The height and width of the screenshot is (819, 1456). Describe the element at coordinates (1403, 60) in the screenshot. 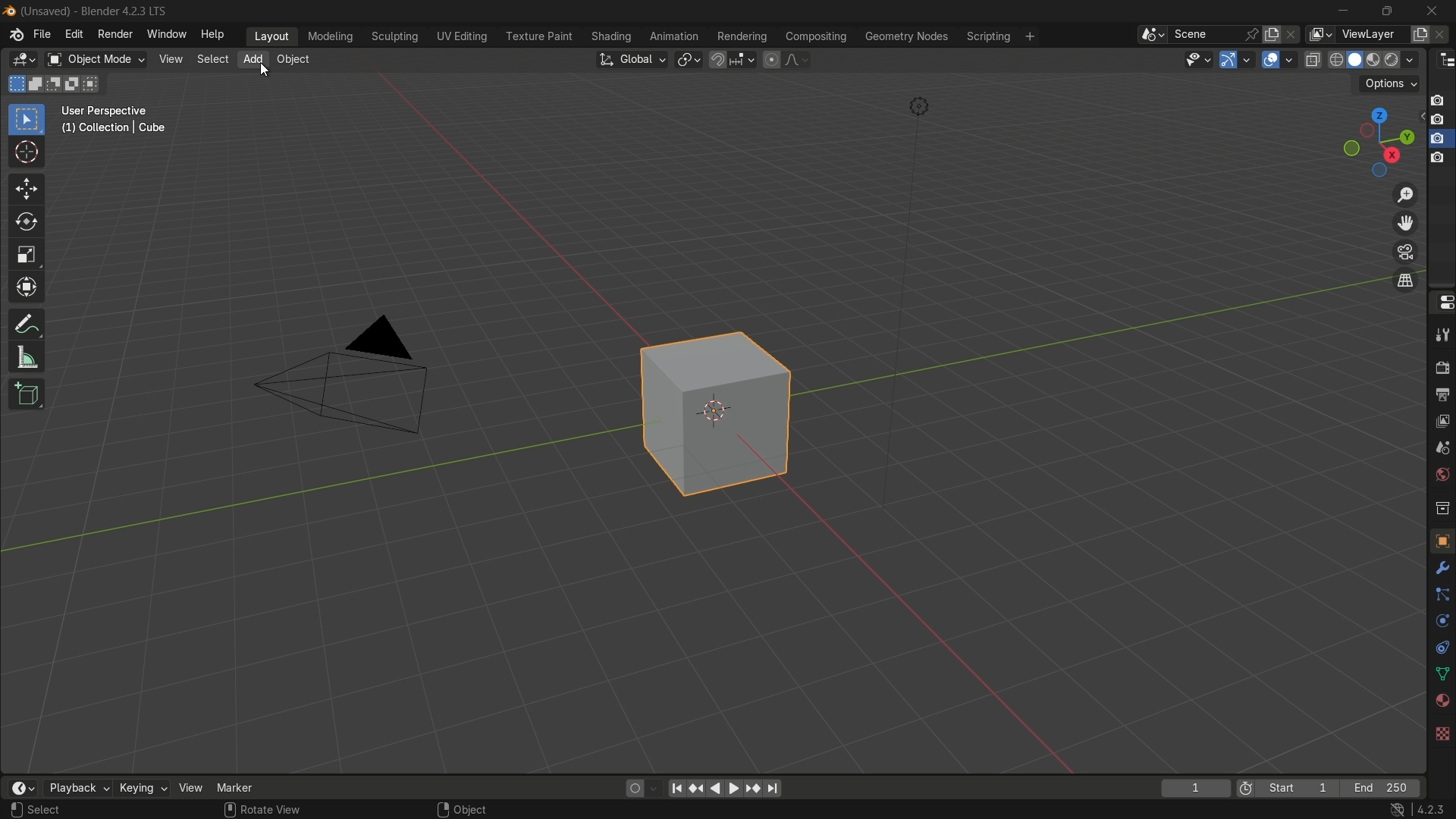

I see `material preview` at that location.